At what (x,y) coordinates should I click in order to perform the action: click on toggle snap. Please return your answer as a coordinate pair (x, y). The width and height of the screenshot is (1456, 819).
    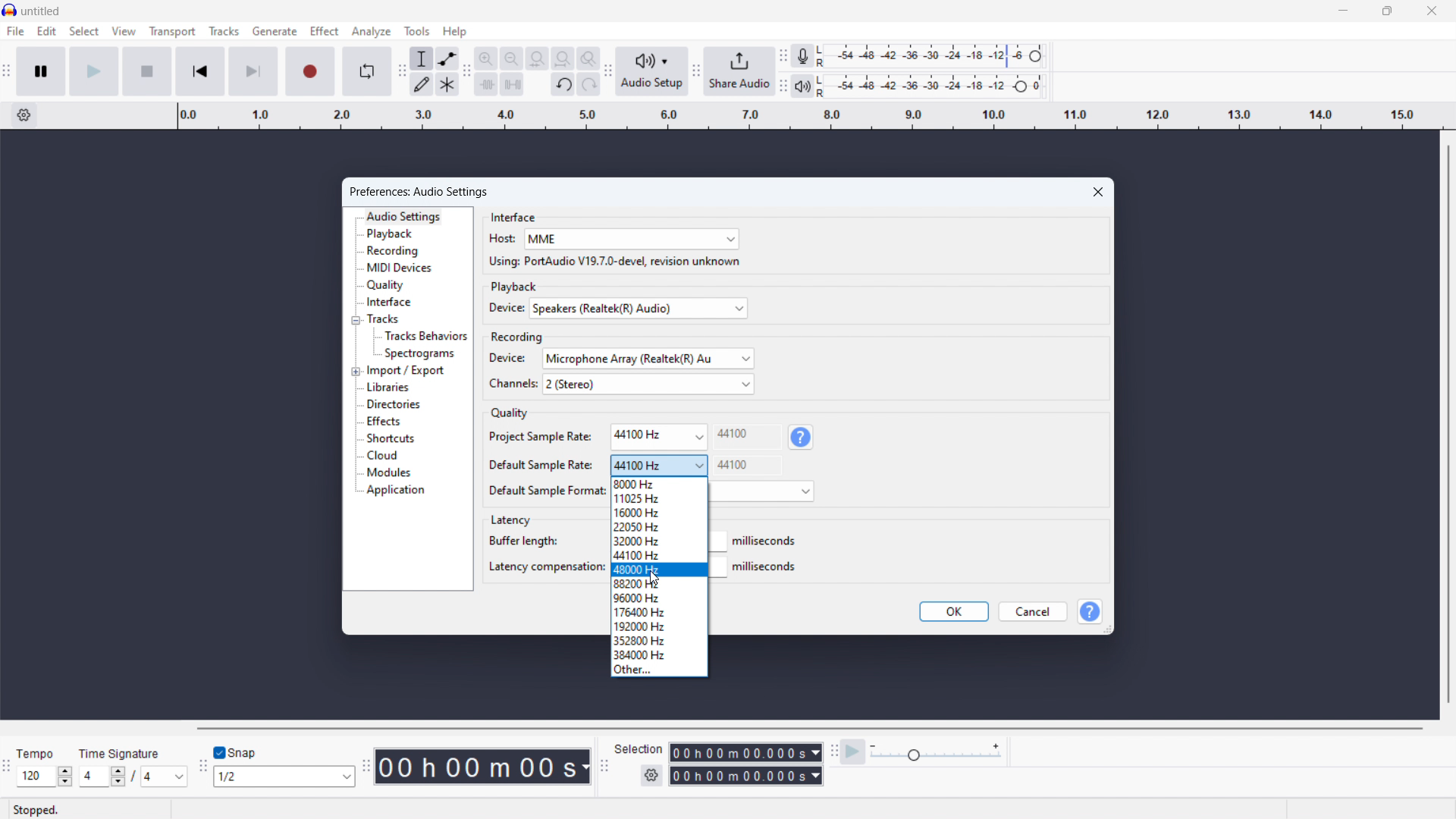
    Looking at the image, I should click on (236, 753).